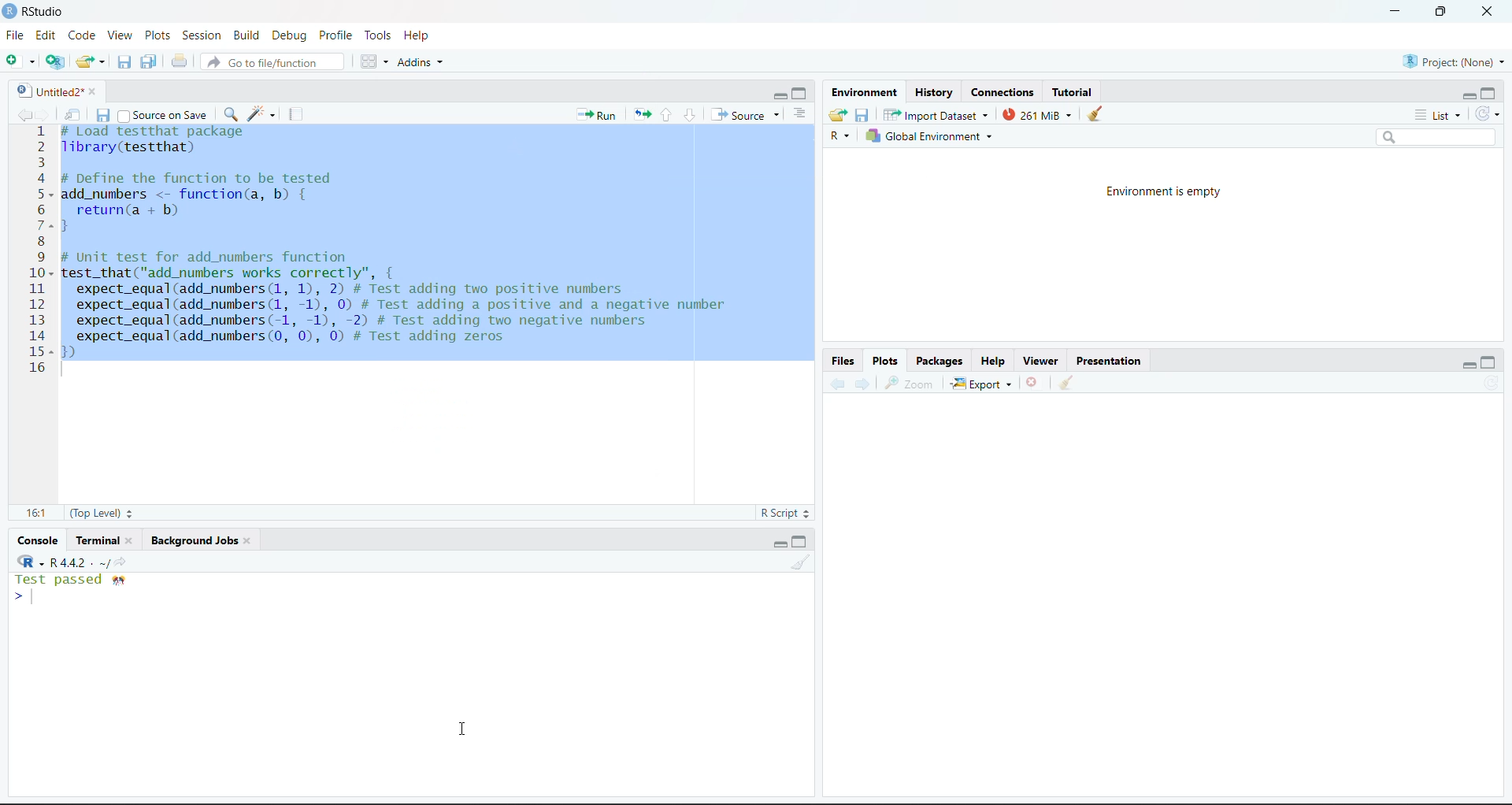  What do you see at coordinates (774, 94) in the screenshot?
I see `minimize` at bounding box center [774, 94].